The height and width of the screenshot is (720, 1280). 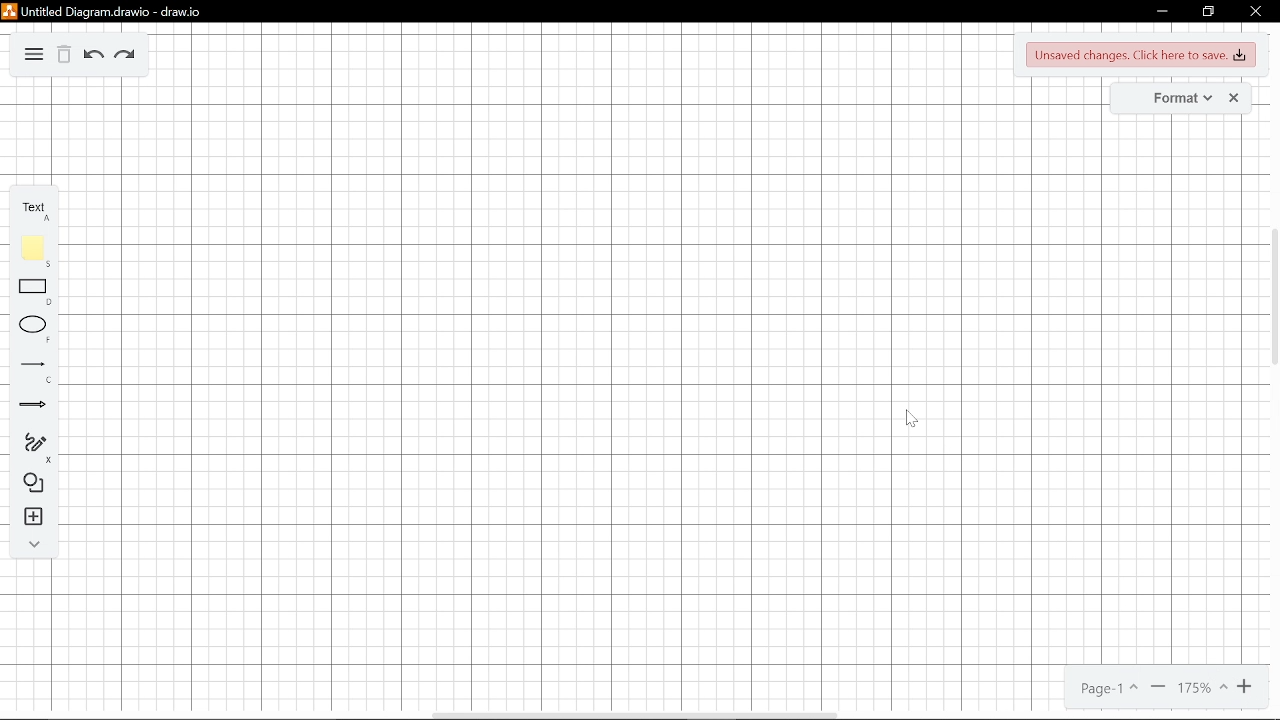 I want to click on horizontal scrollbar, so click(x=636, y=715).